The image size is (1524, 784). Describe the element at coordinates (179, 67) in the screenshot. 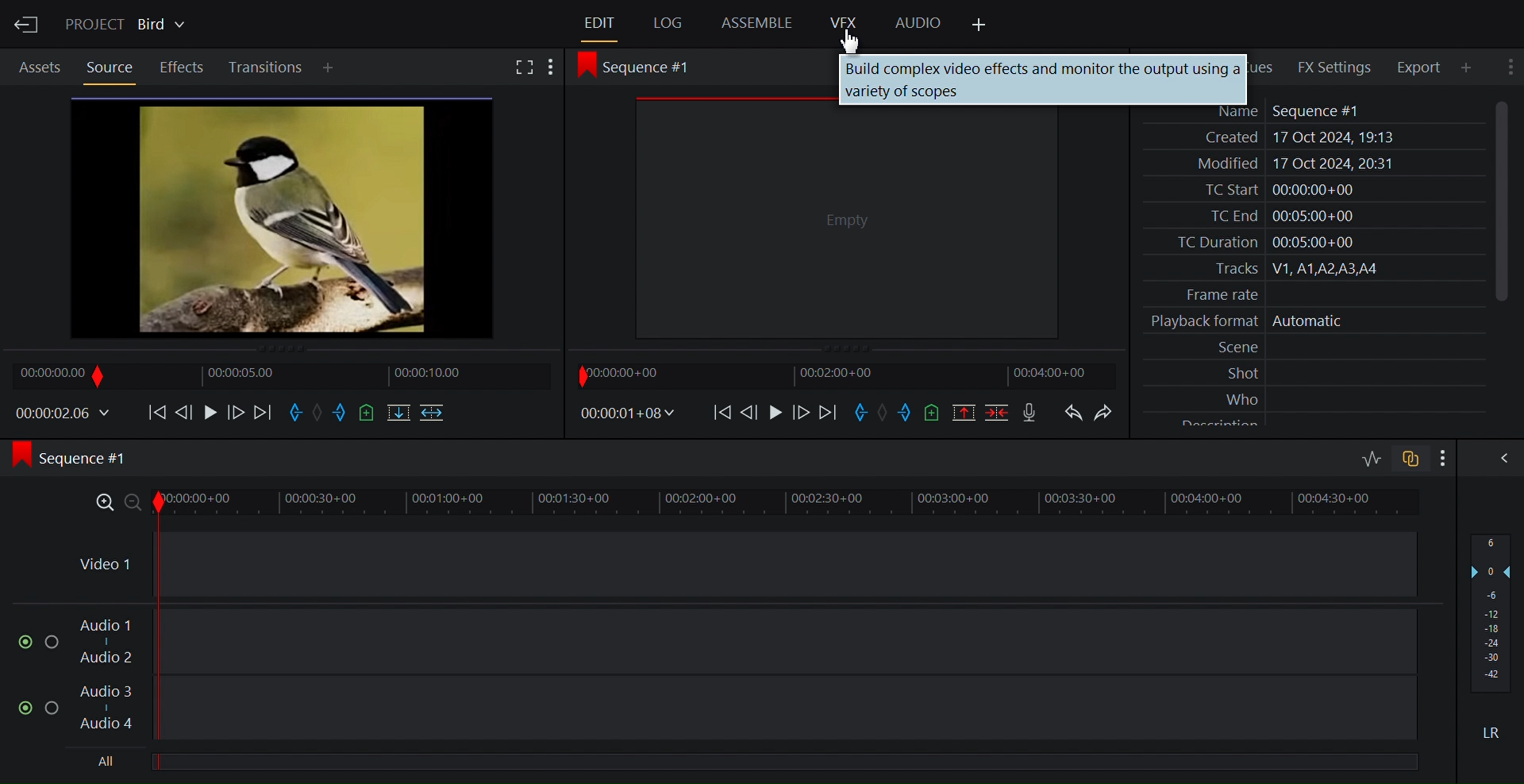

I see `Effects` at that location.